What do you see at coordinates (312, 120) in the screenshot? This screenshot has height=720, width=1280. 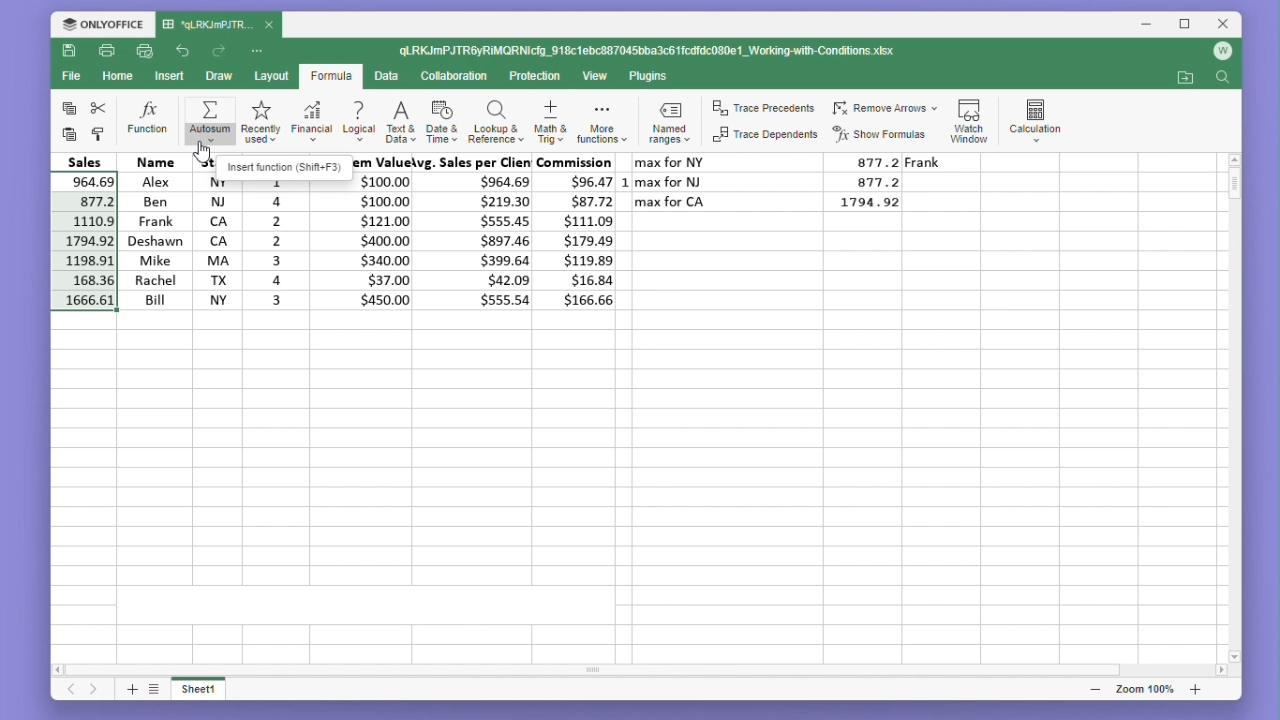 I see `Financial` at bounding box center [312, 120].